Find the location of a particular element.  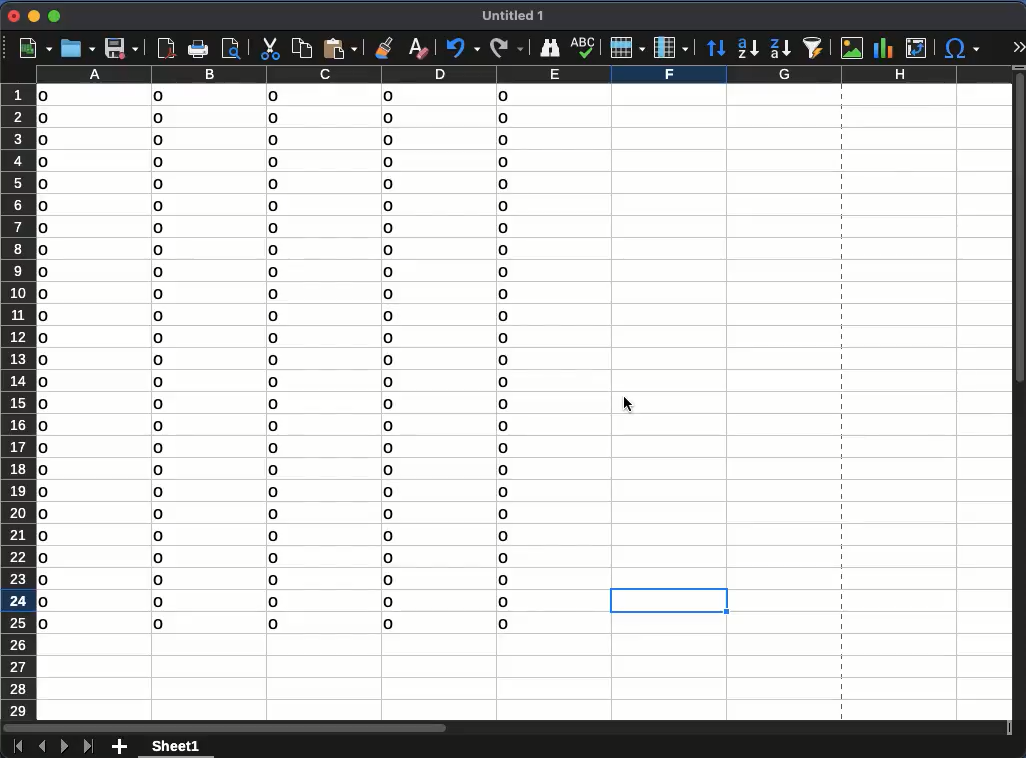

columns is located at coordinates (523, 75).